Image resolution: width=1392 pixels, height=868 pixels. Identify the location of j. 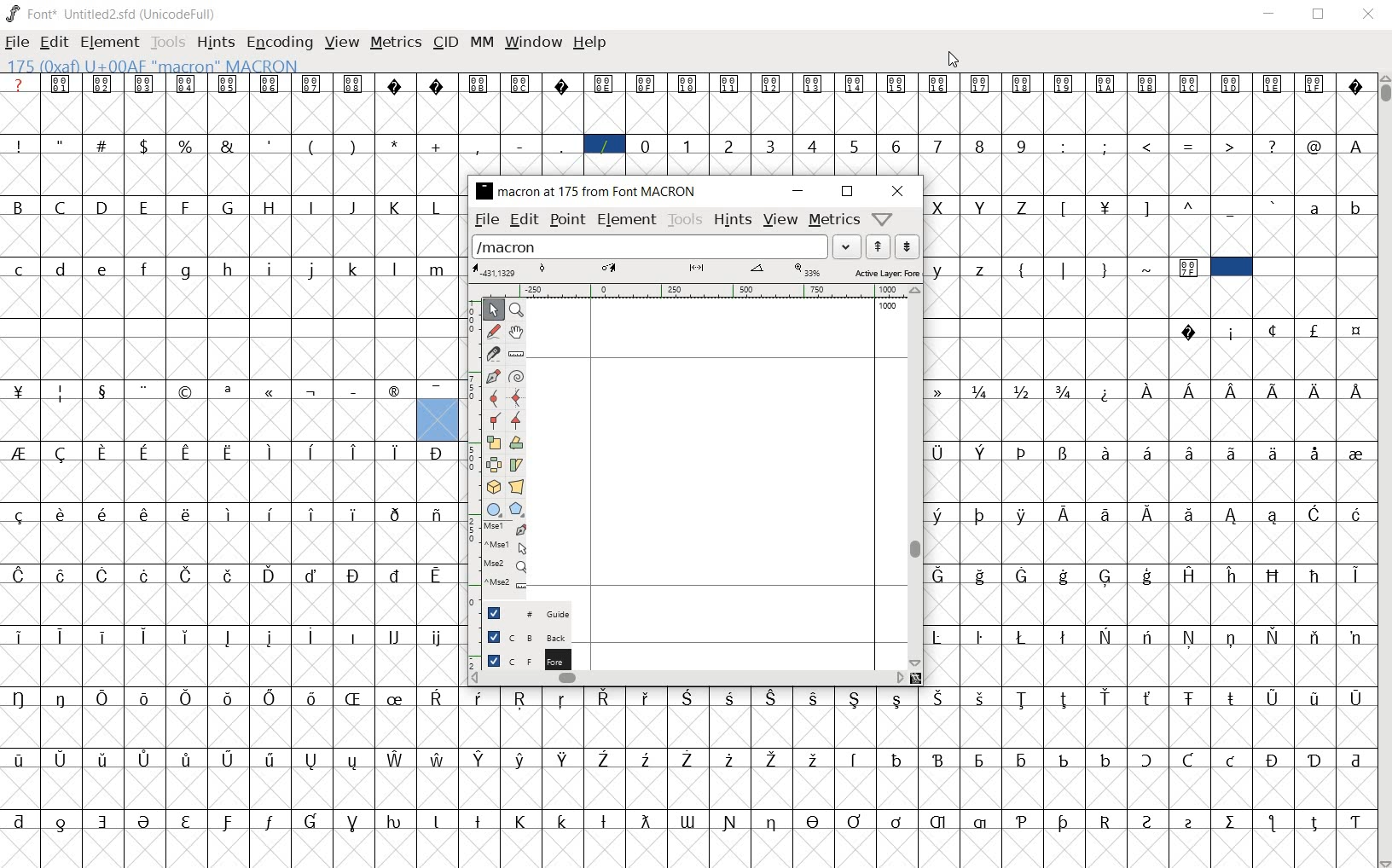
(312, 270).